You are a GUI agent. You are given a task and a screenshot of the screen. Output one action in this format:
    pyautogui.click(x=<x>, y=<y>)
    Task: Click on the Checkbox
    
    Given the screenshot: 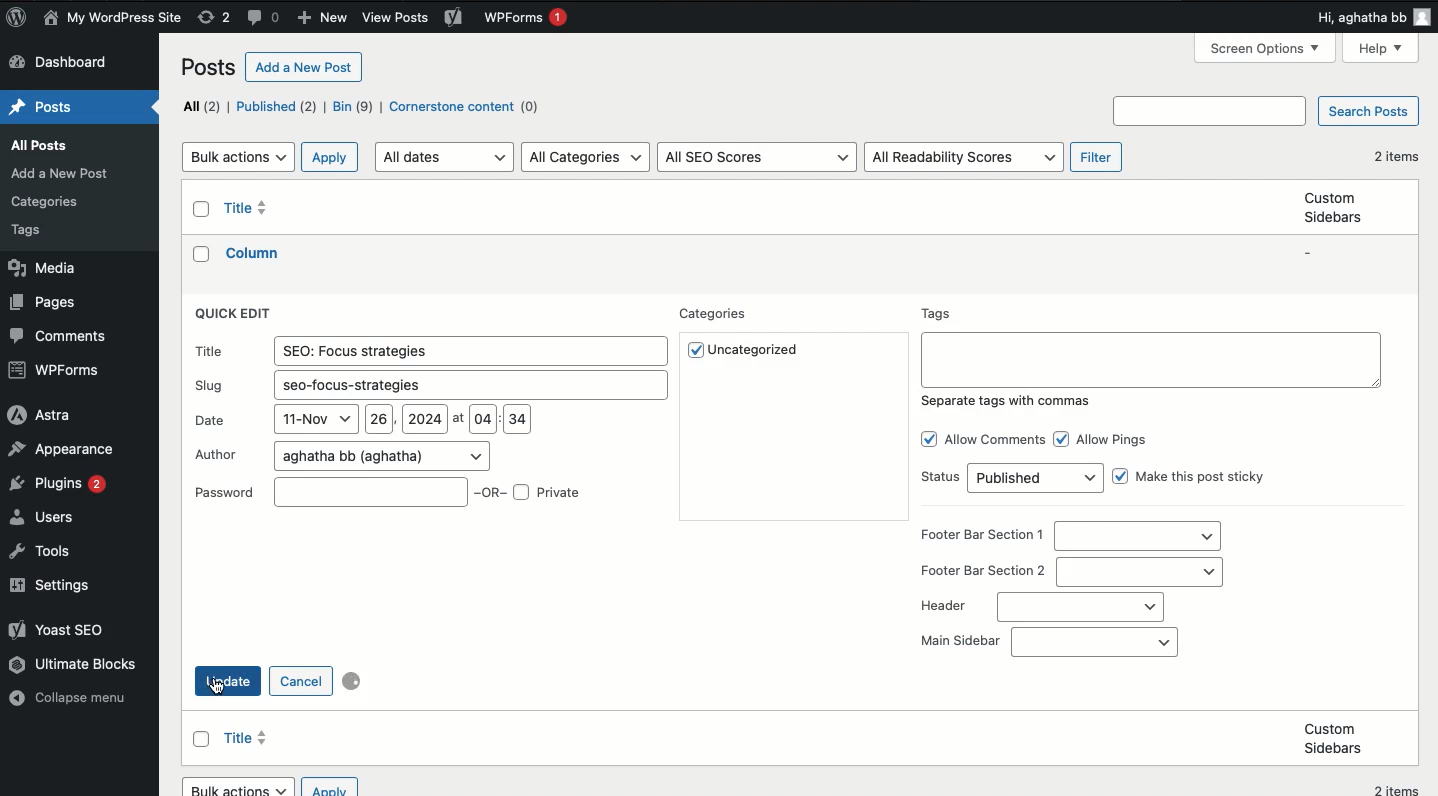 What is the action you would take?
    pyautogui.click(x=1062, y=439)
    